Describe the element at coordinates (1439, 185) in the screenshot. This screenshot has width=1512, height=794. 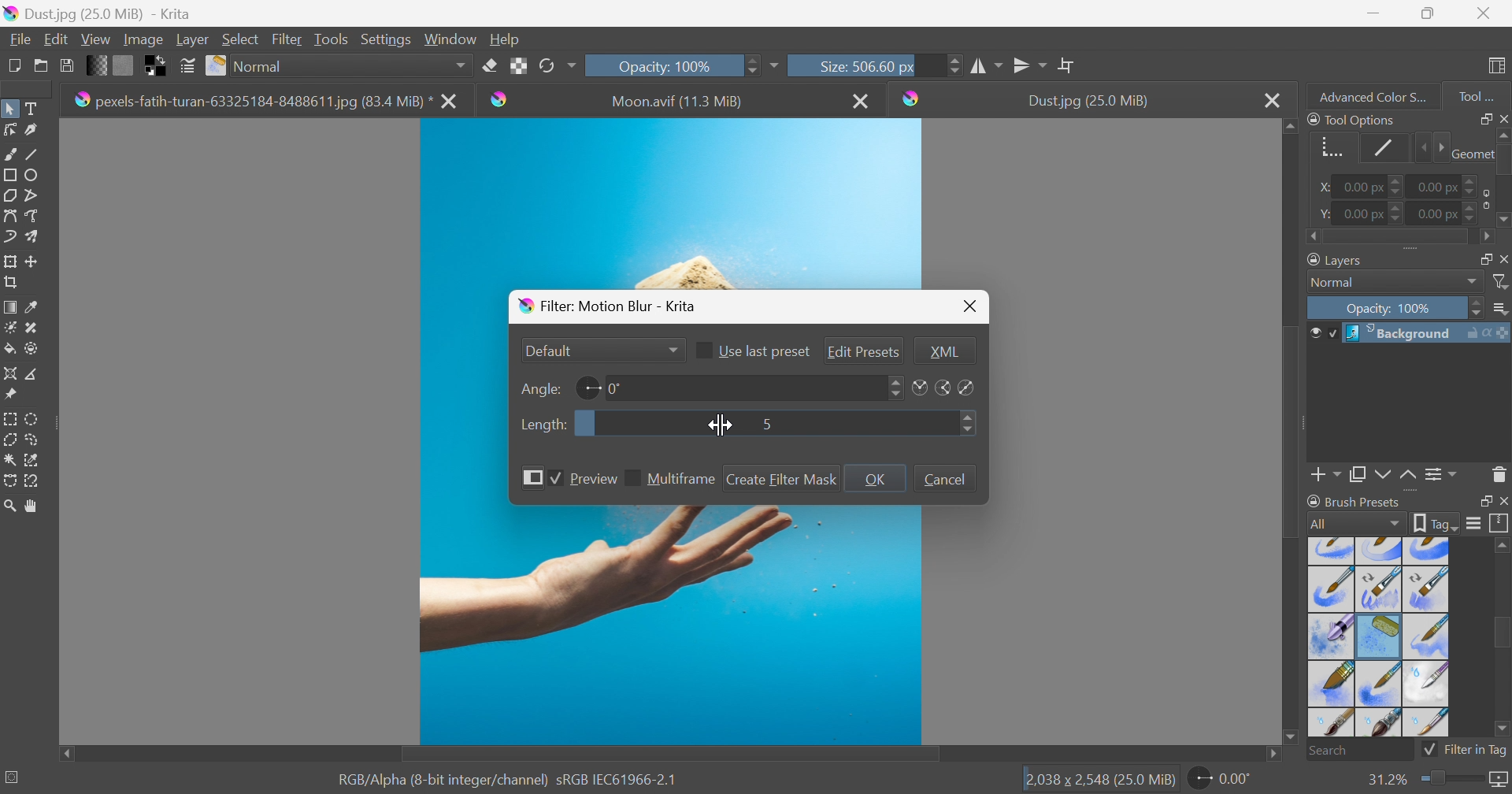
I see `0.00 px` at that location.